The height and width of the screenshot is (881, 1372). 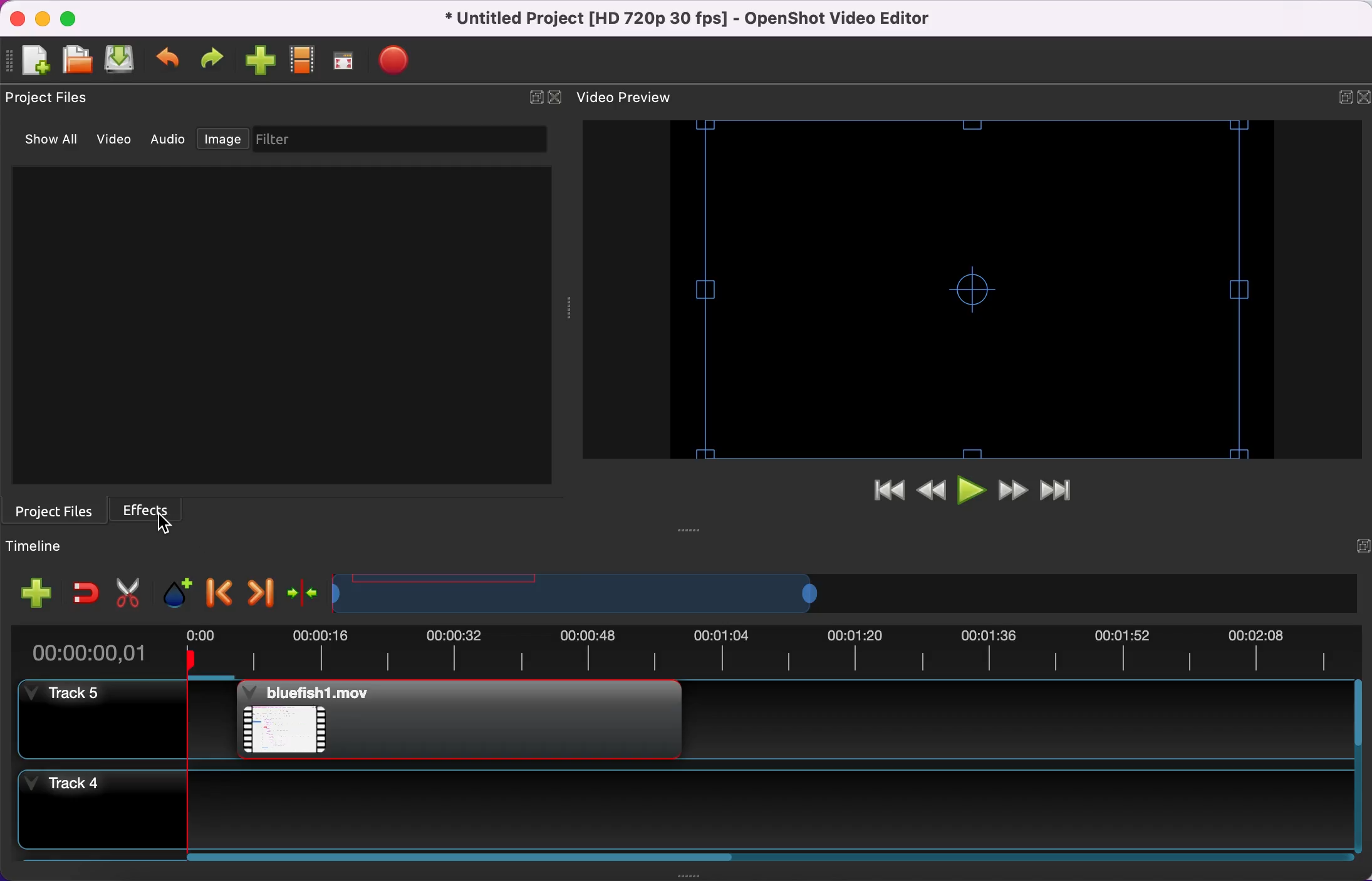 What do you see at coordinates (965, 288) in the screenshot?
I see `video preview` at bounding box center [965, 288].